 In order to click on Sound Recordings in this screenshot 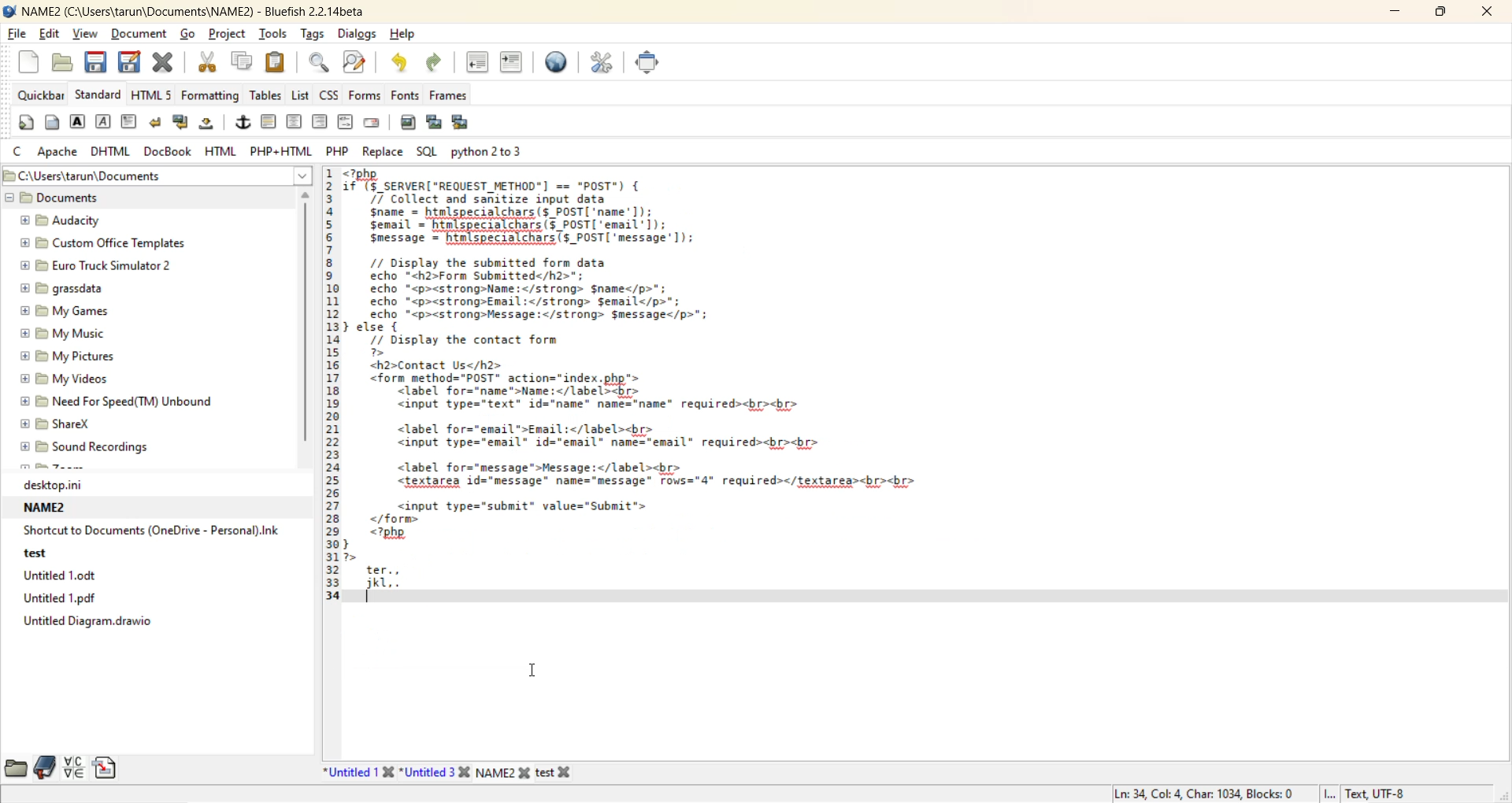, I will do `click(92, 446)`.